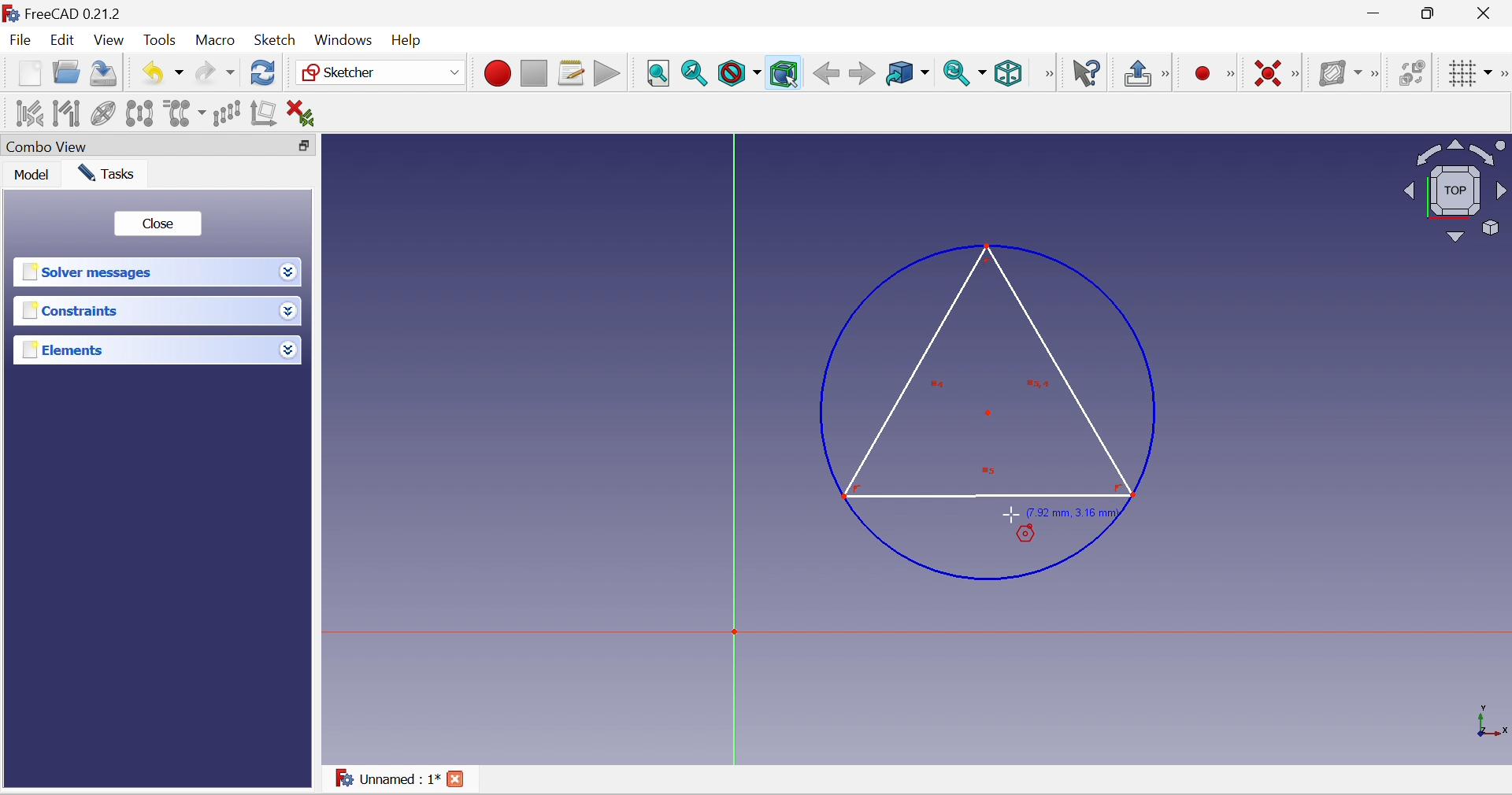  Describe the element at coordinates (105, 112) in the screenshot. I see `Show/hide internal geometry` at that location.